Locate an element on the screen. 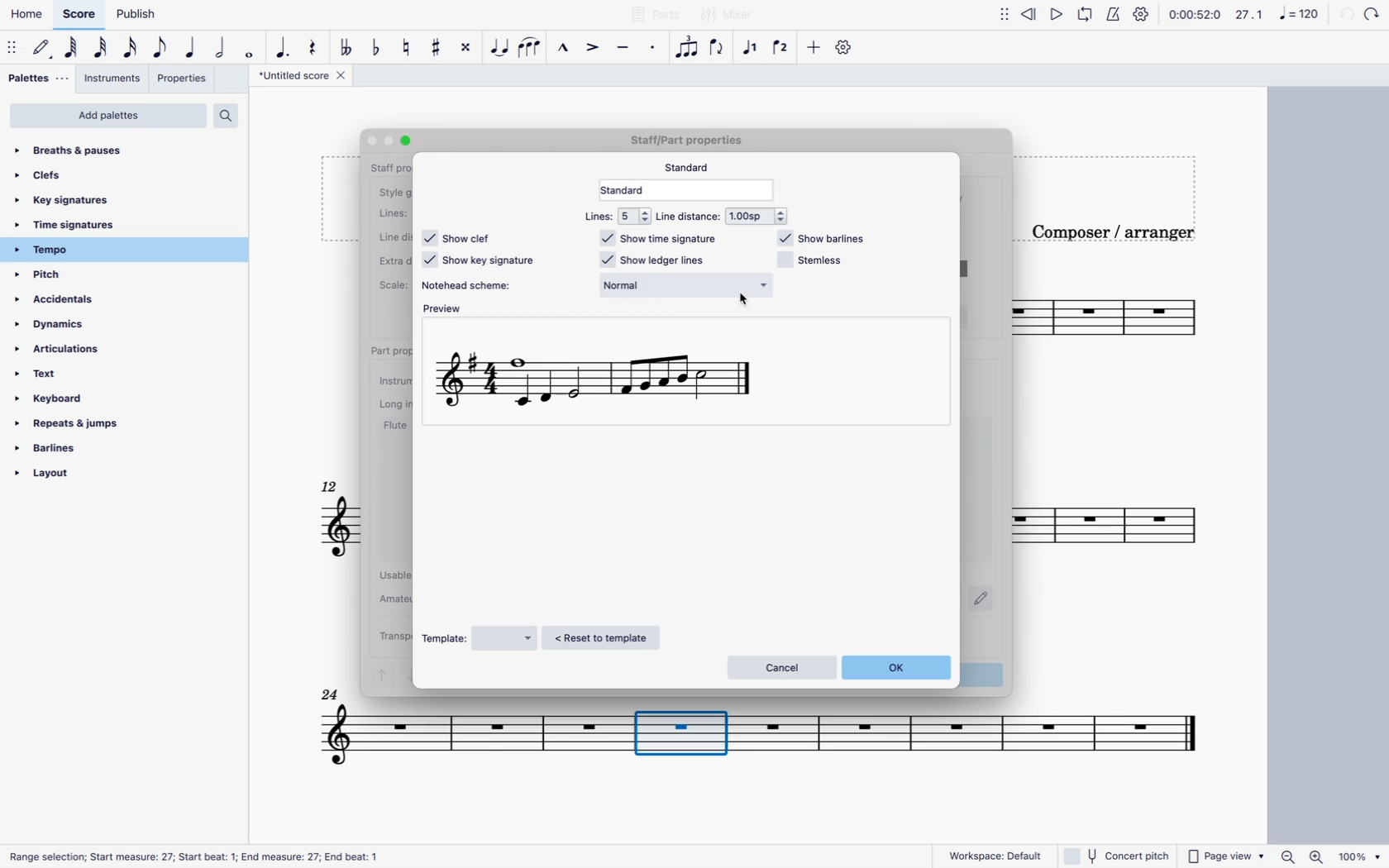 The height and width of the screenshot is (868, 1389). scale preview is located at coordinates (612, 384).